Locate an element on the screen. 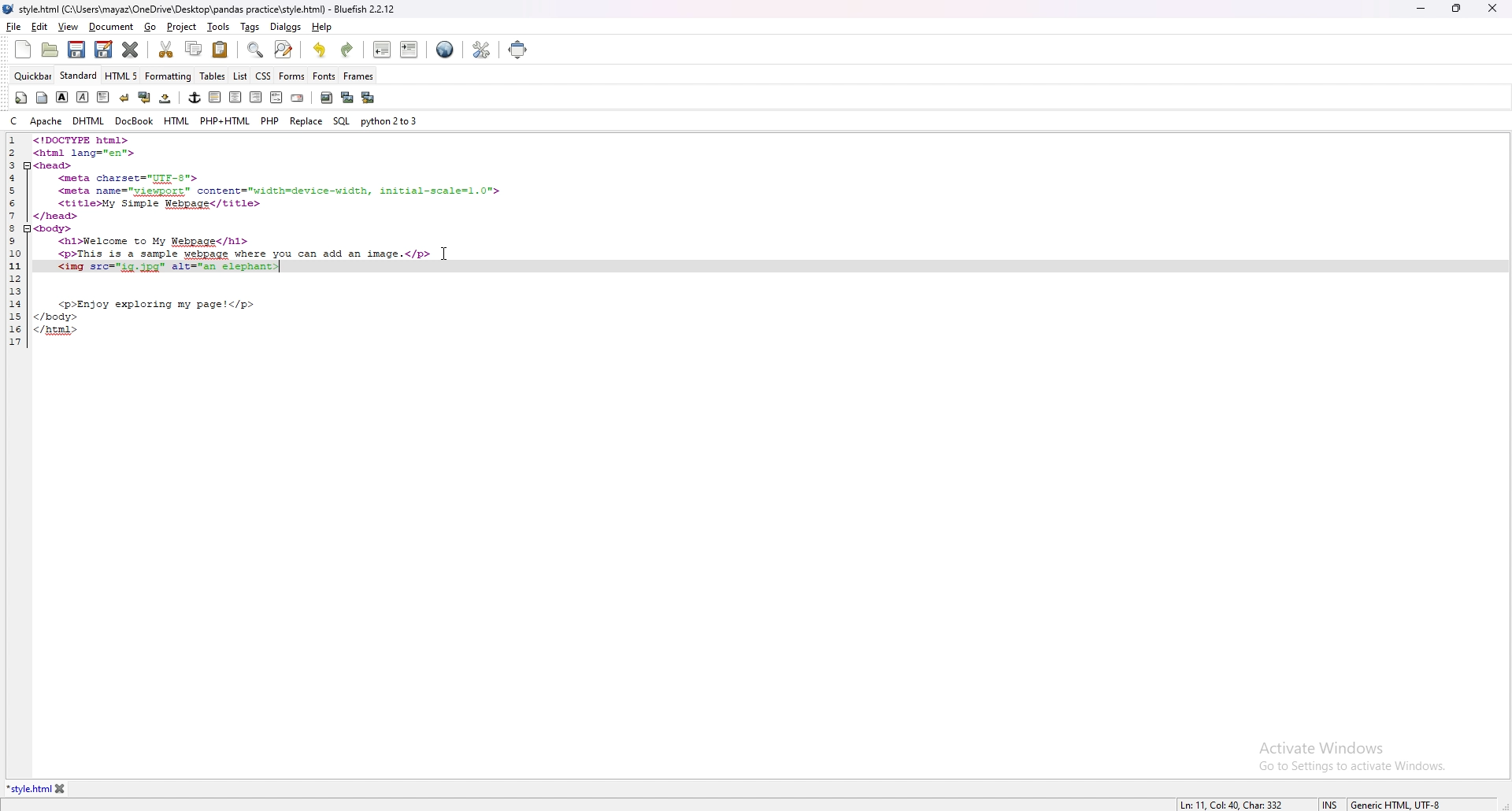 Image resolution: width=1512 pixels, height=811 pixels. undo is located at coordinates (320, 50).